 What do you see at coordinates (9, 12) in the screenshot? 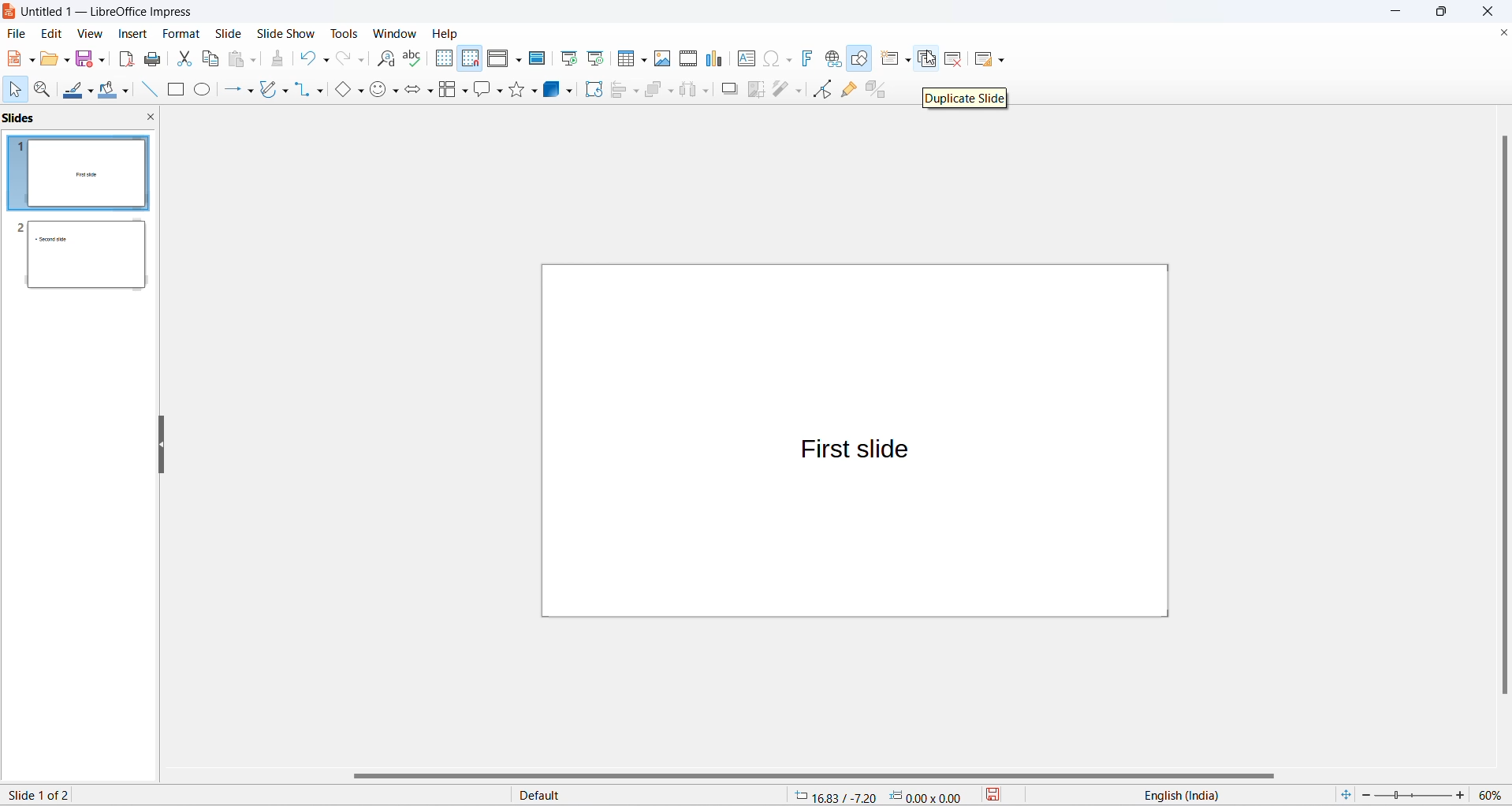
I see `logo` at bounding box center [9, 12].